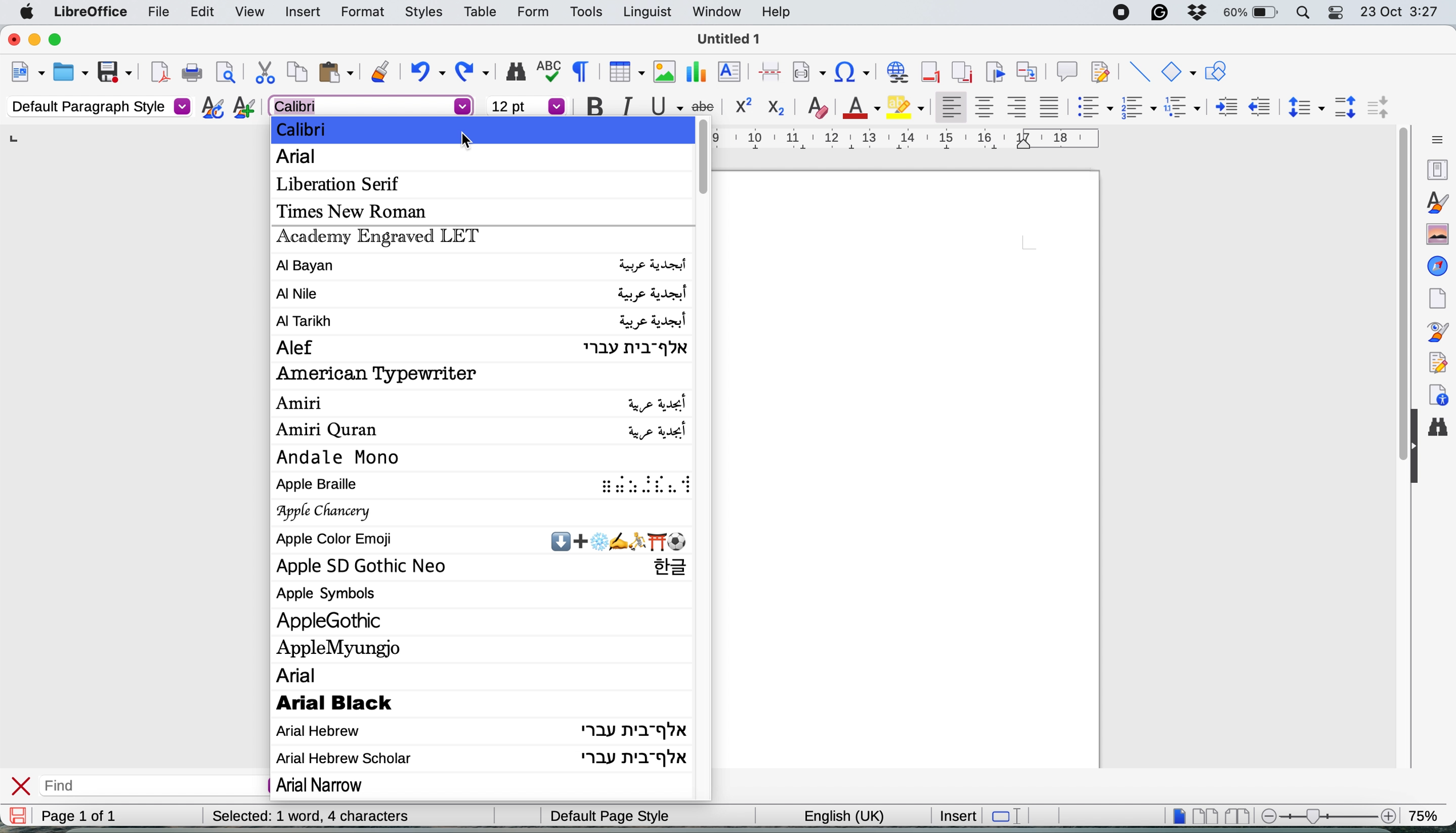 This screenshot has width=1456, height=833. What do you see at coordinates (957, 815) in the screenshot?
I see `insert` at bounding box center [957, 815].